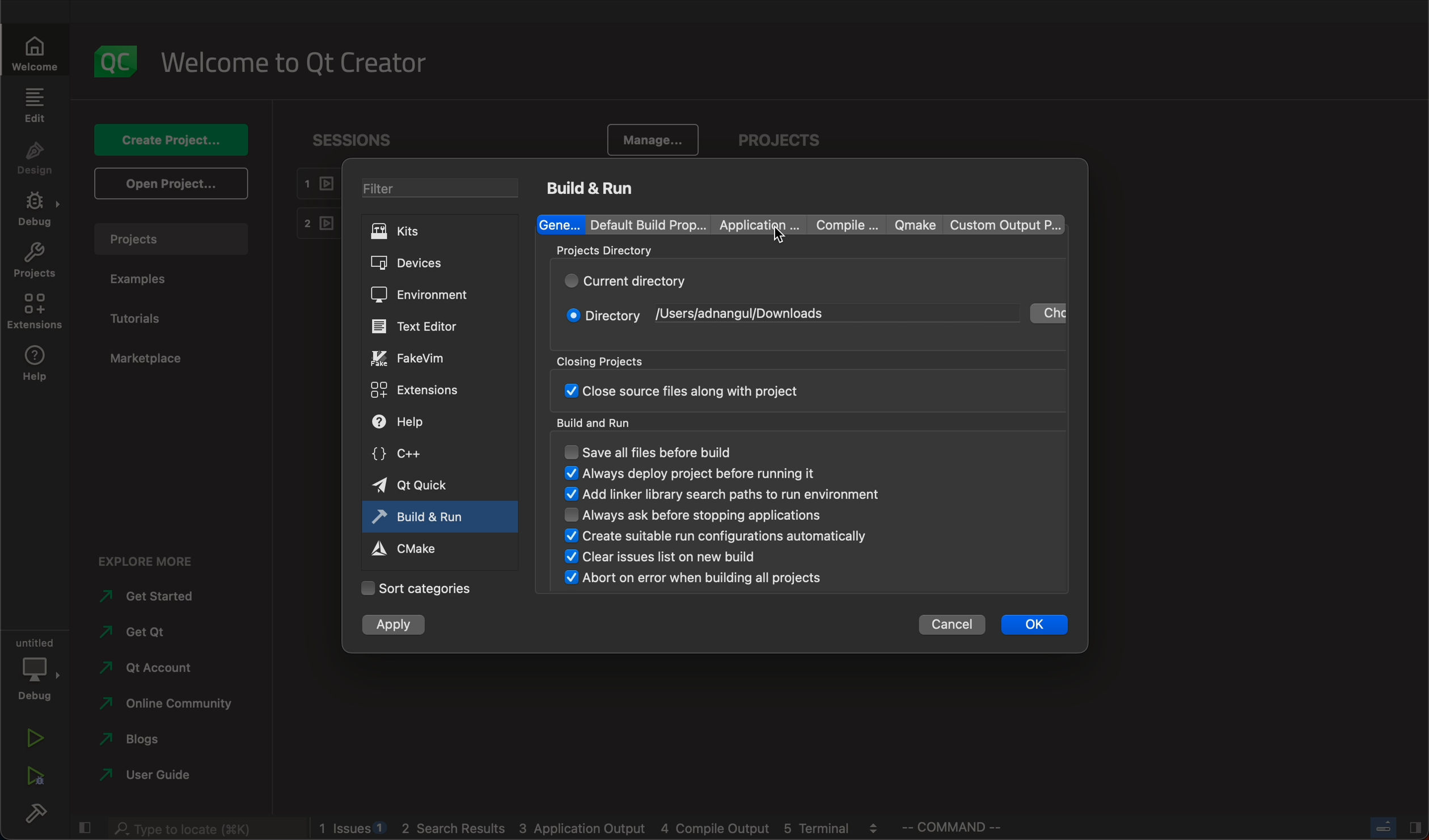 The width and height of the screenshot is (1429, 840). What do you see at coordinates (298, 63) in the screenshot?
I see `welcome` at bounding box center [298, 63].